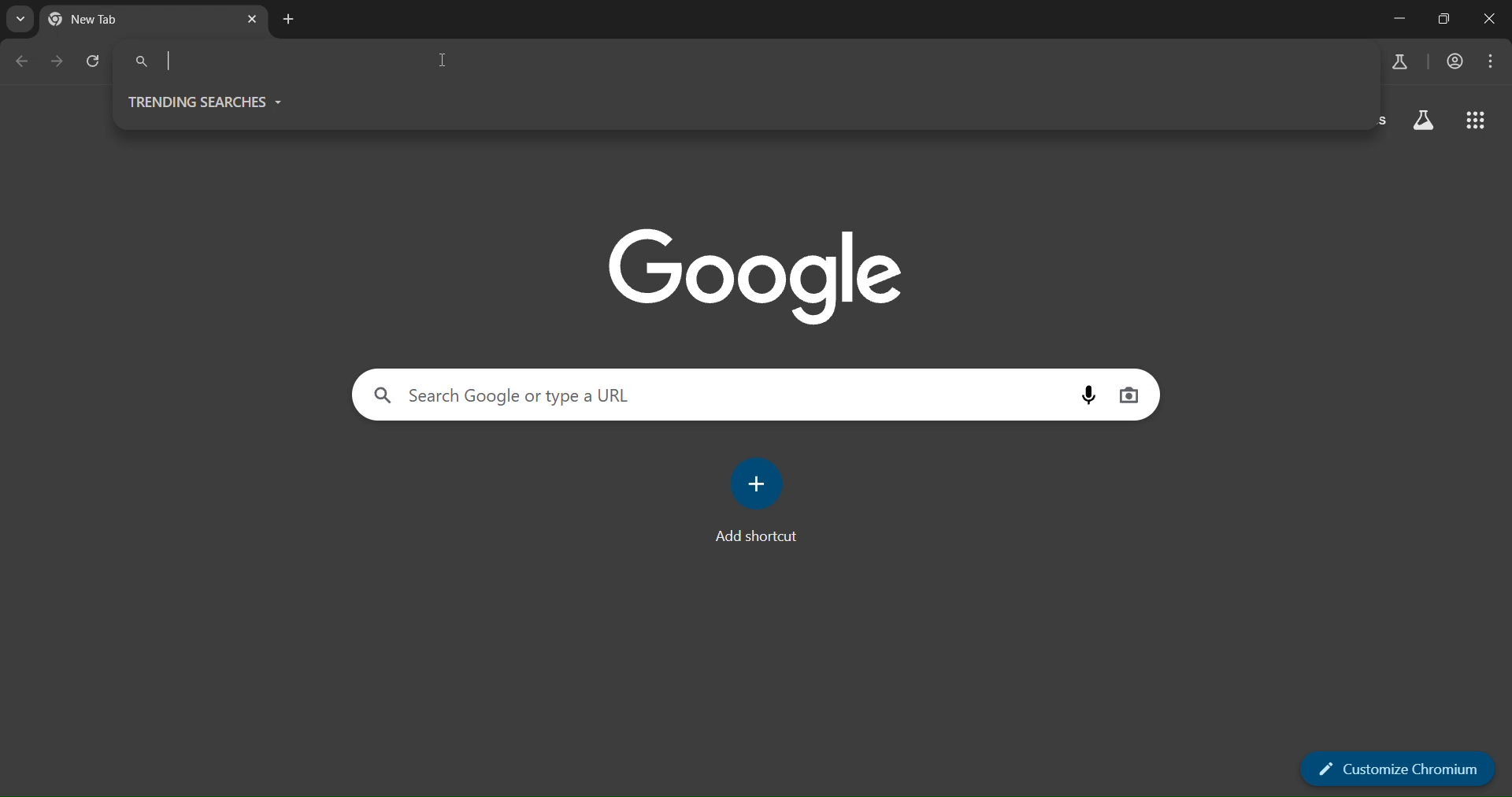 The height and width of the screenshot is (797, 1512). What do you see at coordinates (207, 101) in the screenshot?
I see `trending searches` at bounding box center [207, 101].